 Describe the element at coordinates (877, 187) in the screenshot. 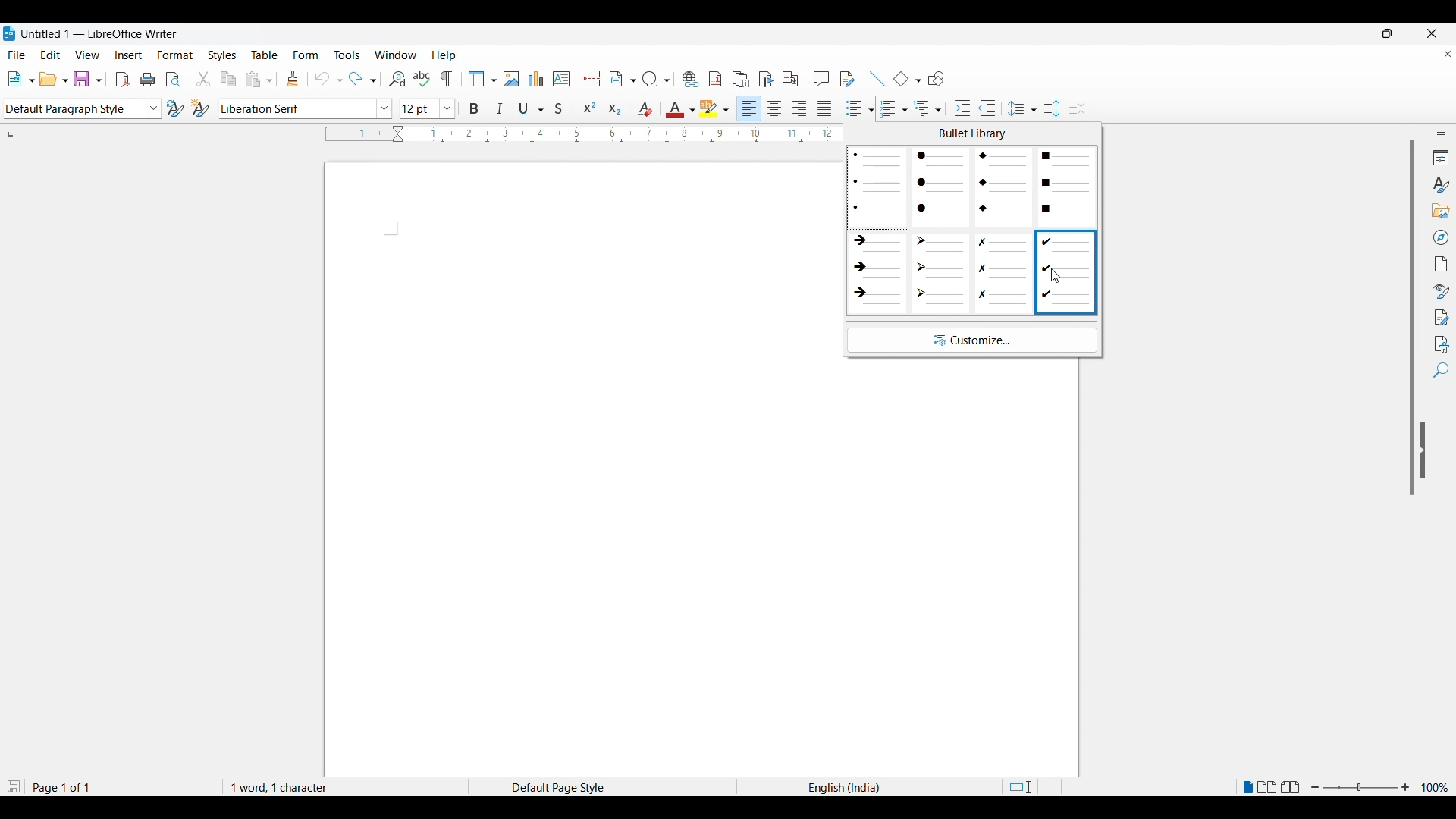

I see `Pointer unordered bullets` at that location.